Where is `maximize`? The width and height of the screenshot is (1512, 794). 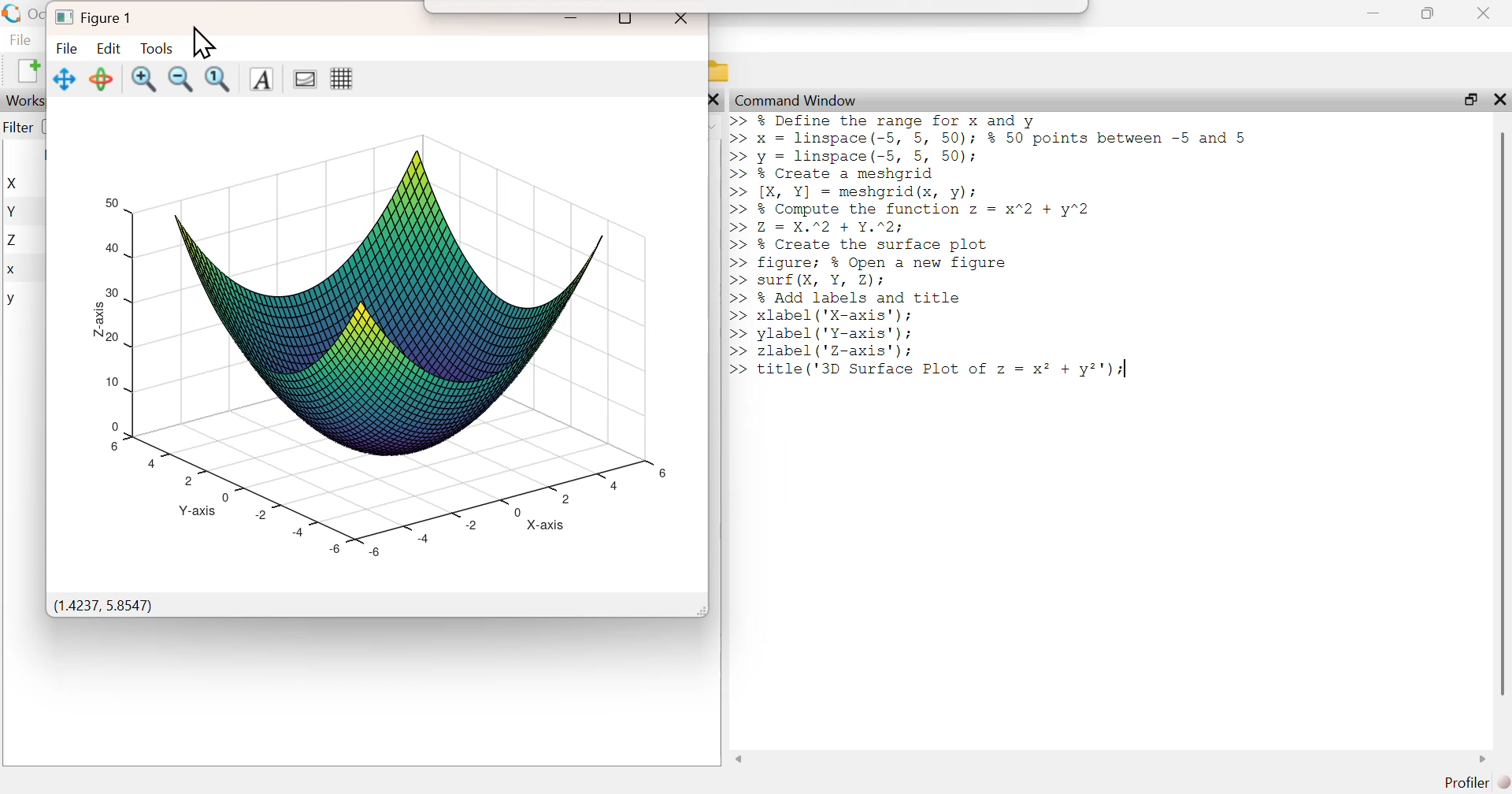
maximize is located at coordinates (1429, 13).